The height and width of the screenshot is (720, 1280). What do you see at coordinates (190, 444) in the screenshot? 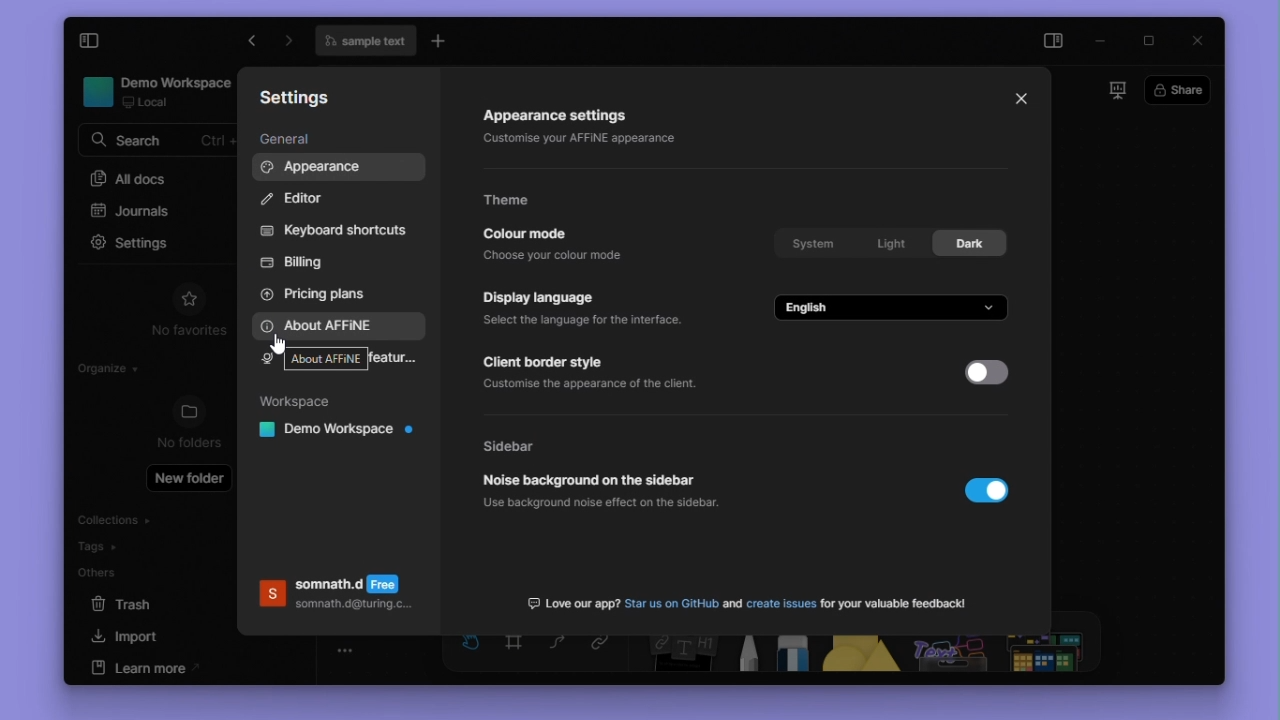
I see `no folders` at bounding box center [190, 444].